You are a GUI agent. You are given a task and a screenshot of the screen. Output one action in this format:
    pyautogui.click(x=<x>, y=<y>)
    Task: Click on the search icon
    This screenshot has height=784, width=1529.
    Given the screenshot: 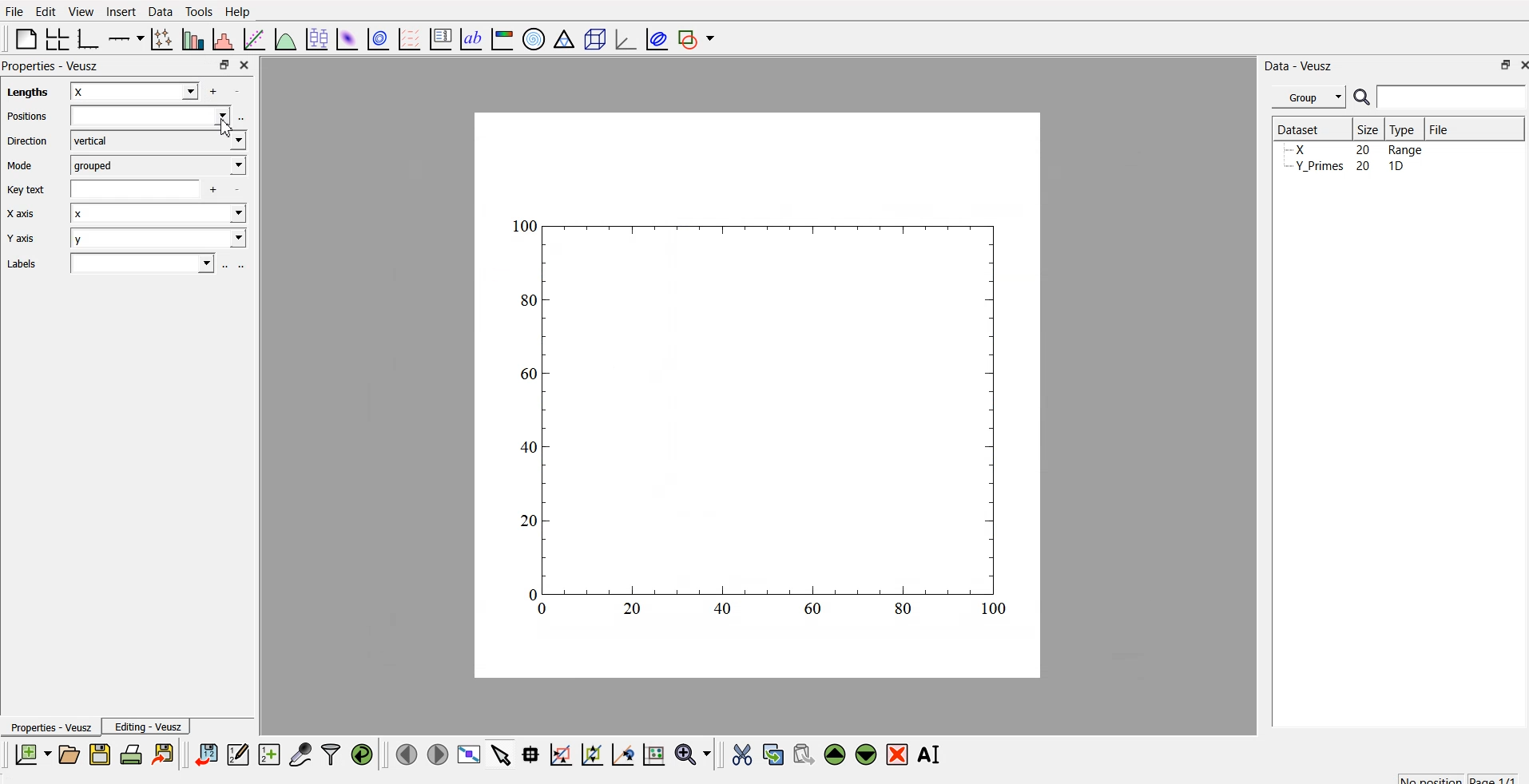 What is the action you would take?
    pyautogui.click(x=1364, y=99)
    